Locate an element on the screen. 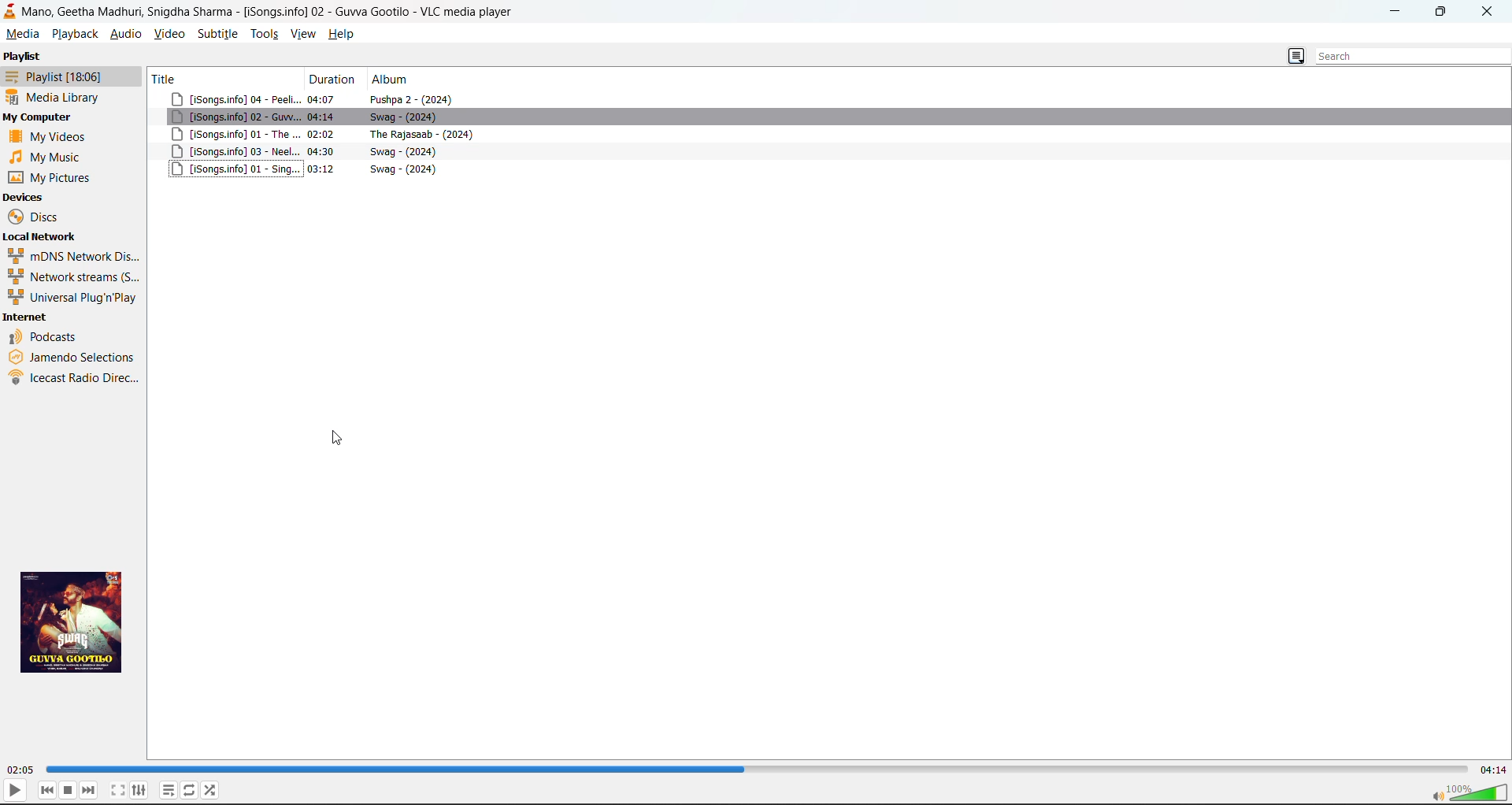 The image size is (1512, 805). subtitle is located at coordinates (216, 33).